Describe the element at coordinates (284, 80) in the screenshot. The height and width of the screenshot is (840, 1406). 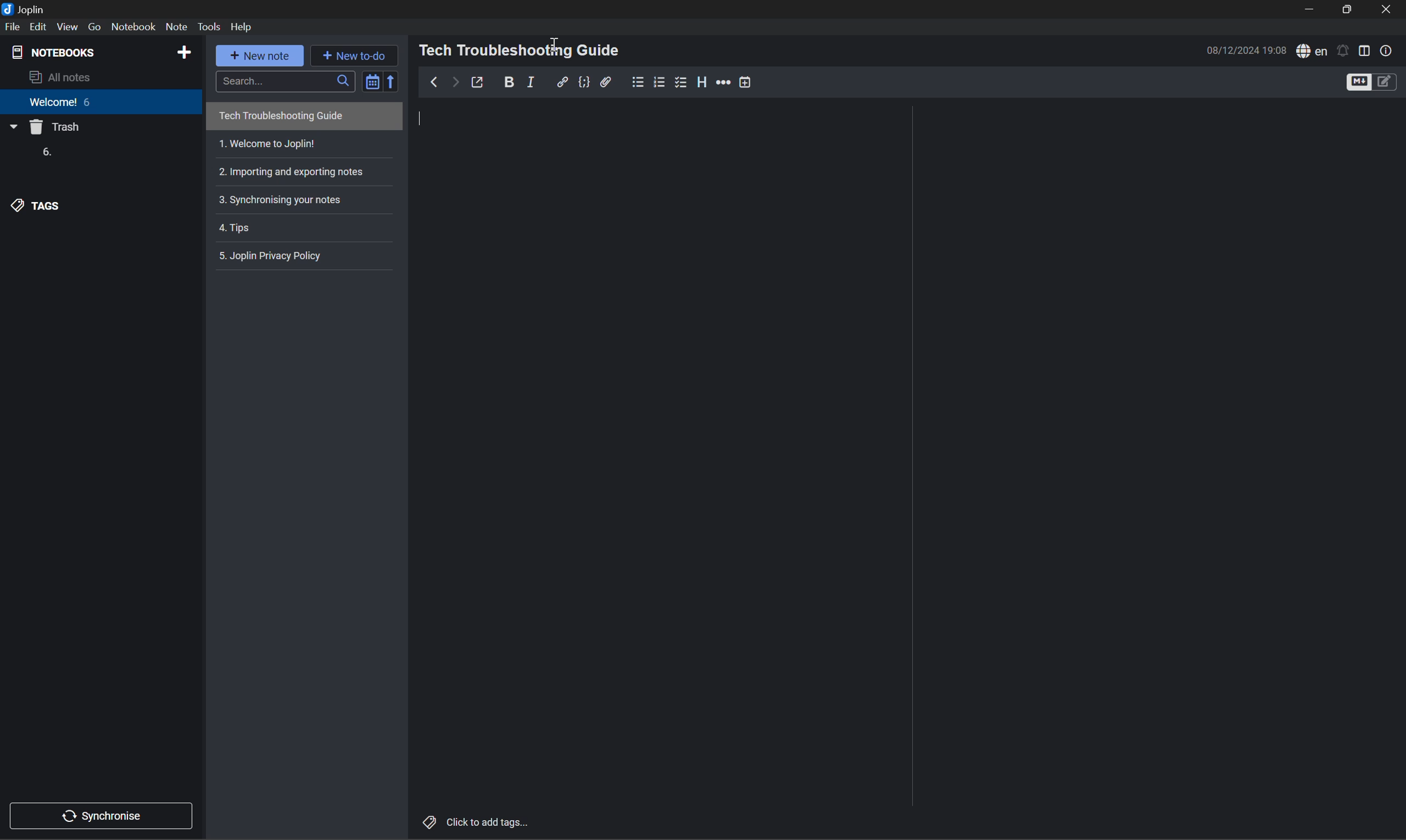
I see `Search` at that location.